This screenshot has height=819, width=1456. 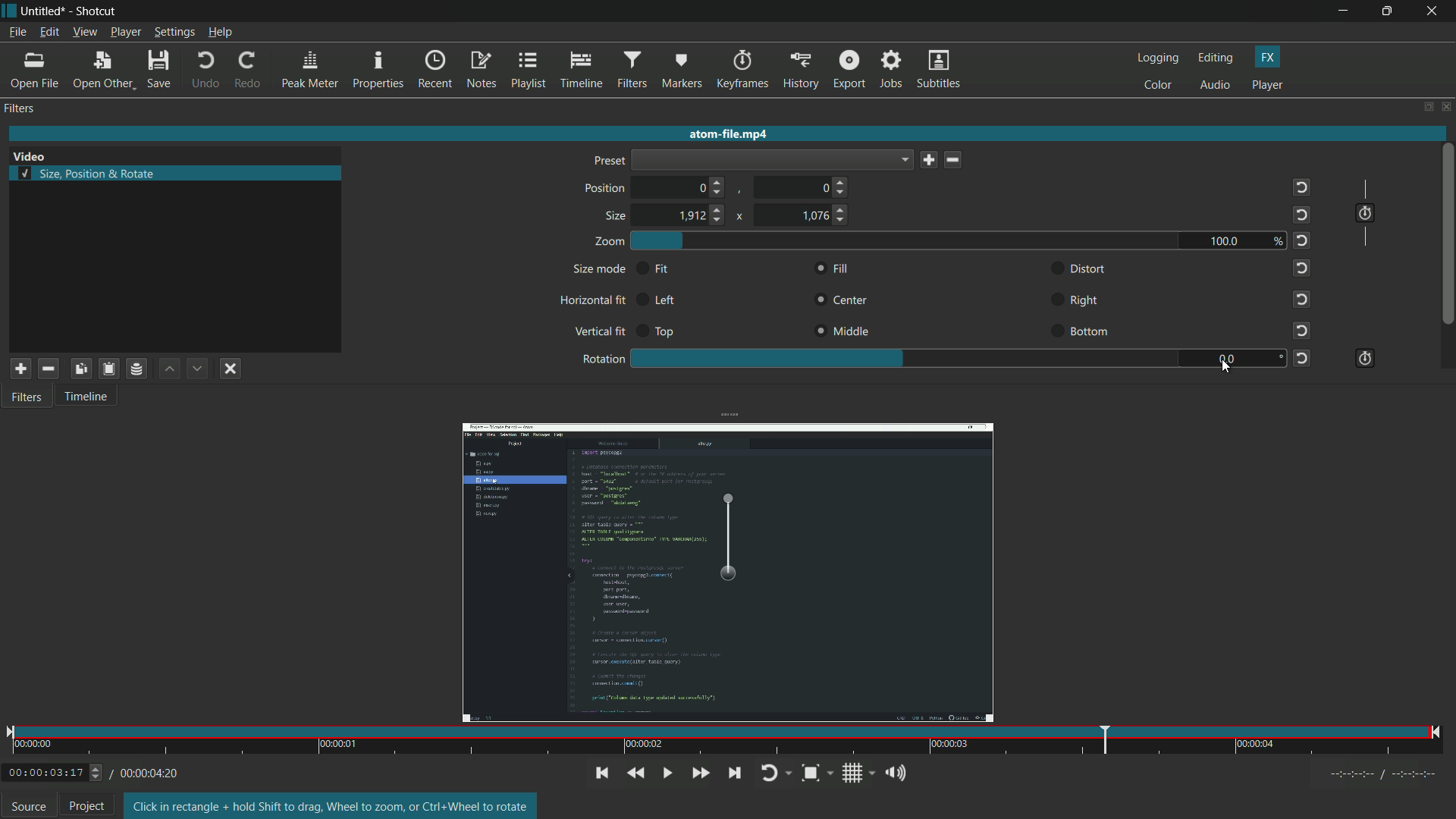 I want to click on /00:00:03:17, so click(x=50, y=773).